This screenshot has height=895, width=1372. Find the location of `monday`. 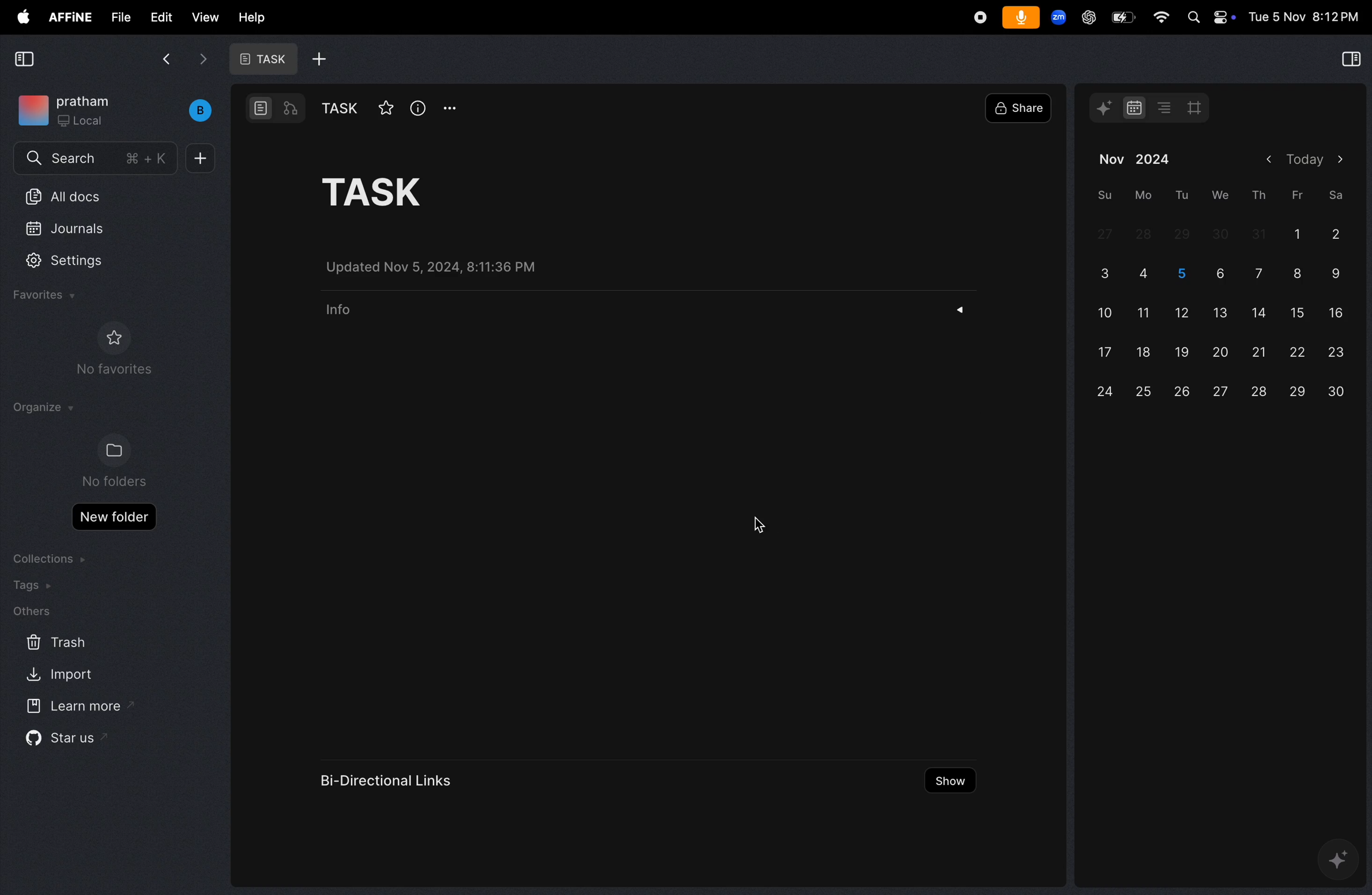

monday is located at coordinates (1141, 195).